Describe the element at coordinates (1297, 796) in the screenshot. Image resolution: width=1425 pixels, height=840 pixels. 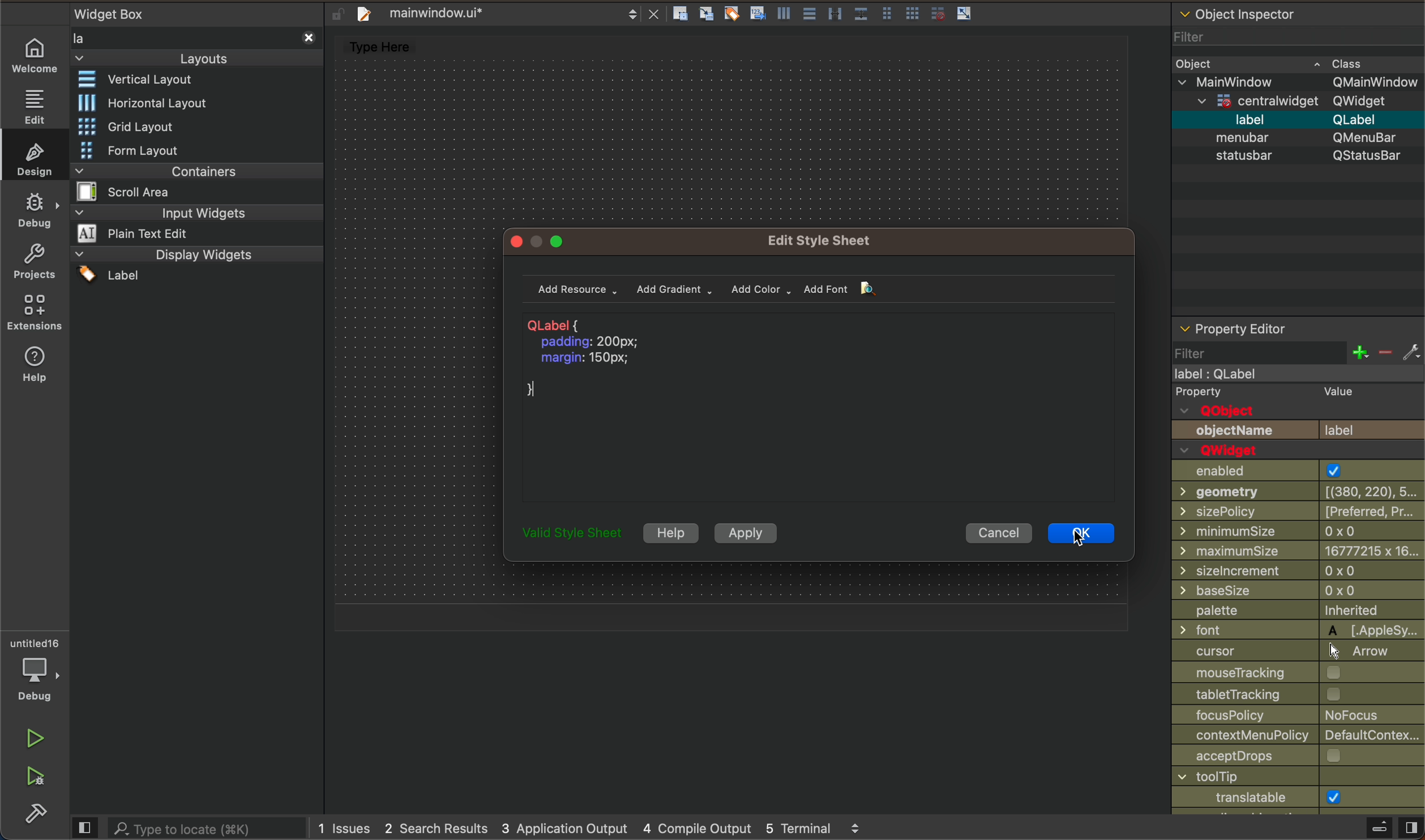
I see `window icon` at that location.